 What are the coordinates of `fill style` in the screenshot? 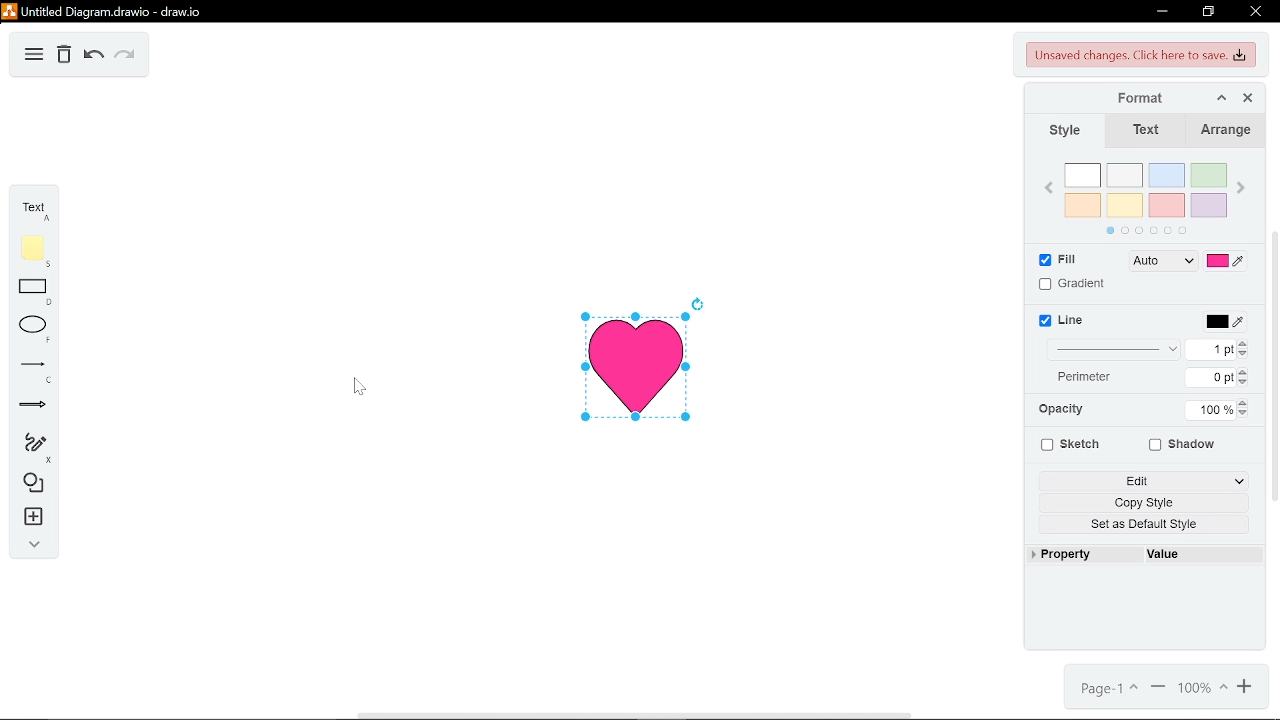 It's located at (1161, 262).